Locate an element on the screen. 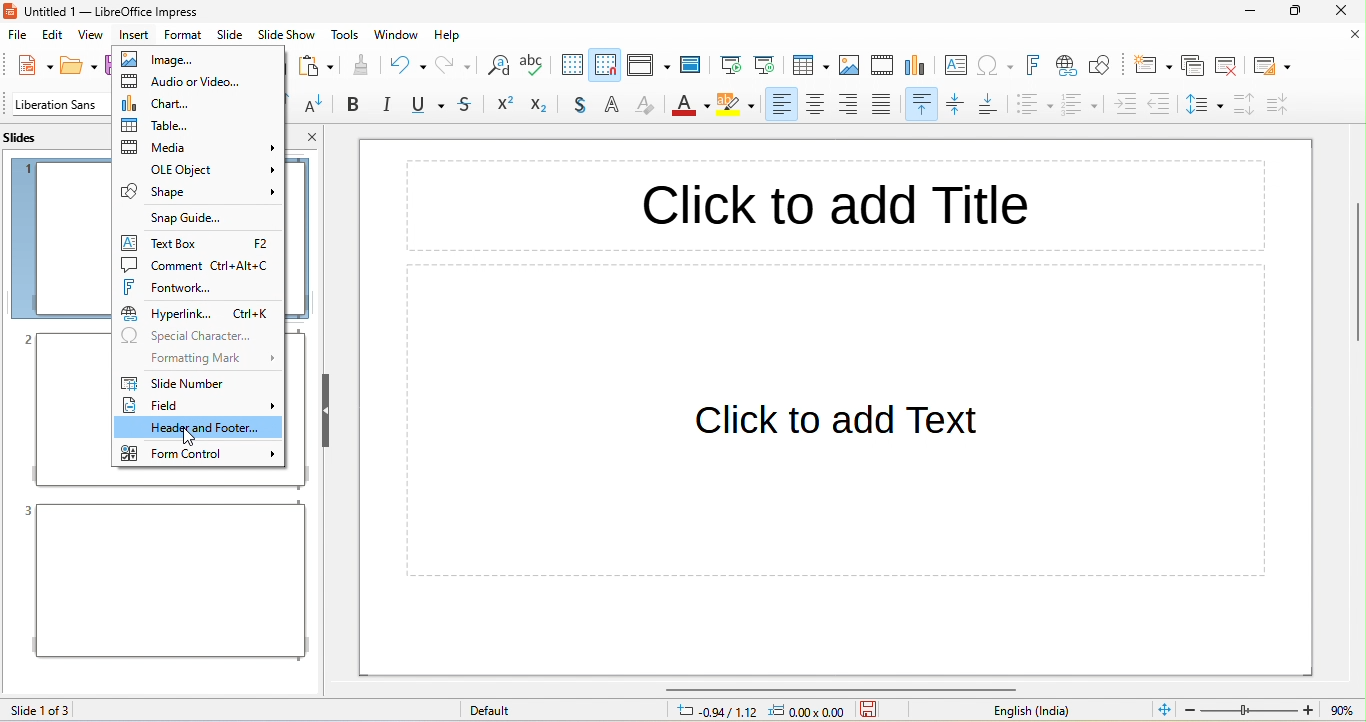  redo is located at coordinates (455, 65).